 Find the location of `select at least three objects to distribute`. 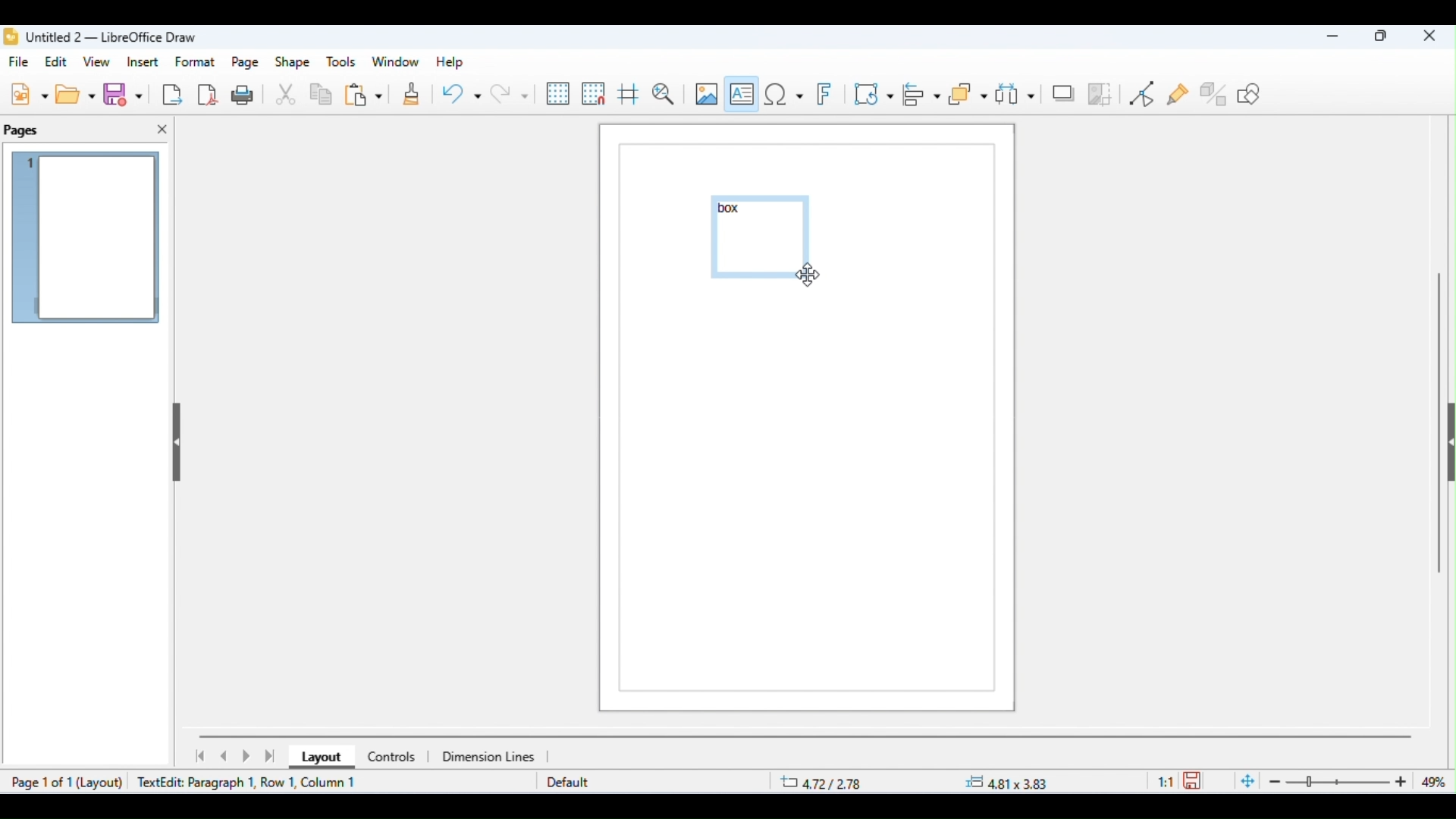

select at least three objects to distribute is located at coordinates (1015, 93).